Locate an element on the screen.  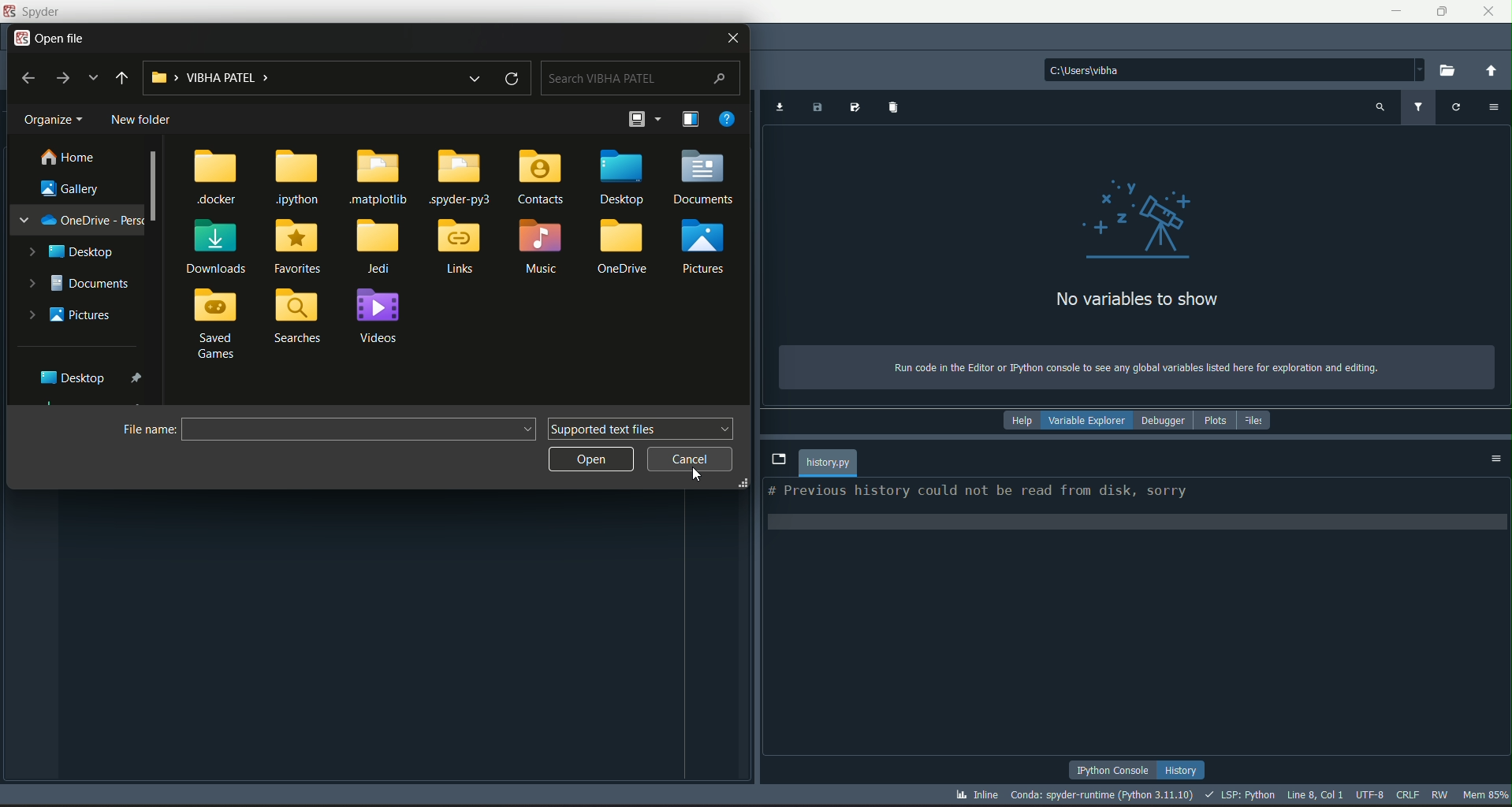
searches is located at coordinates (299, 317).